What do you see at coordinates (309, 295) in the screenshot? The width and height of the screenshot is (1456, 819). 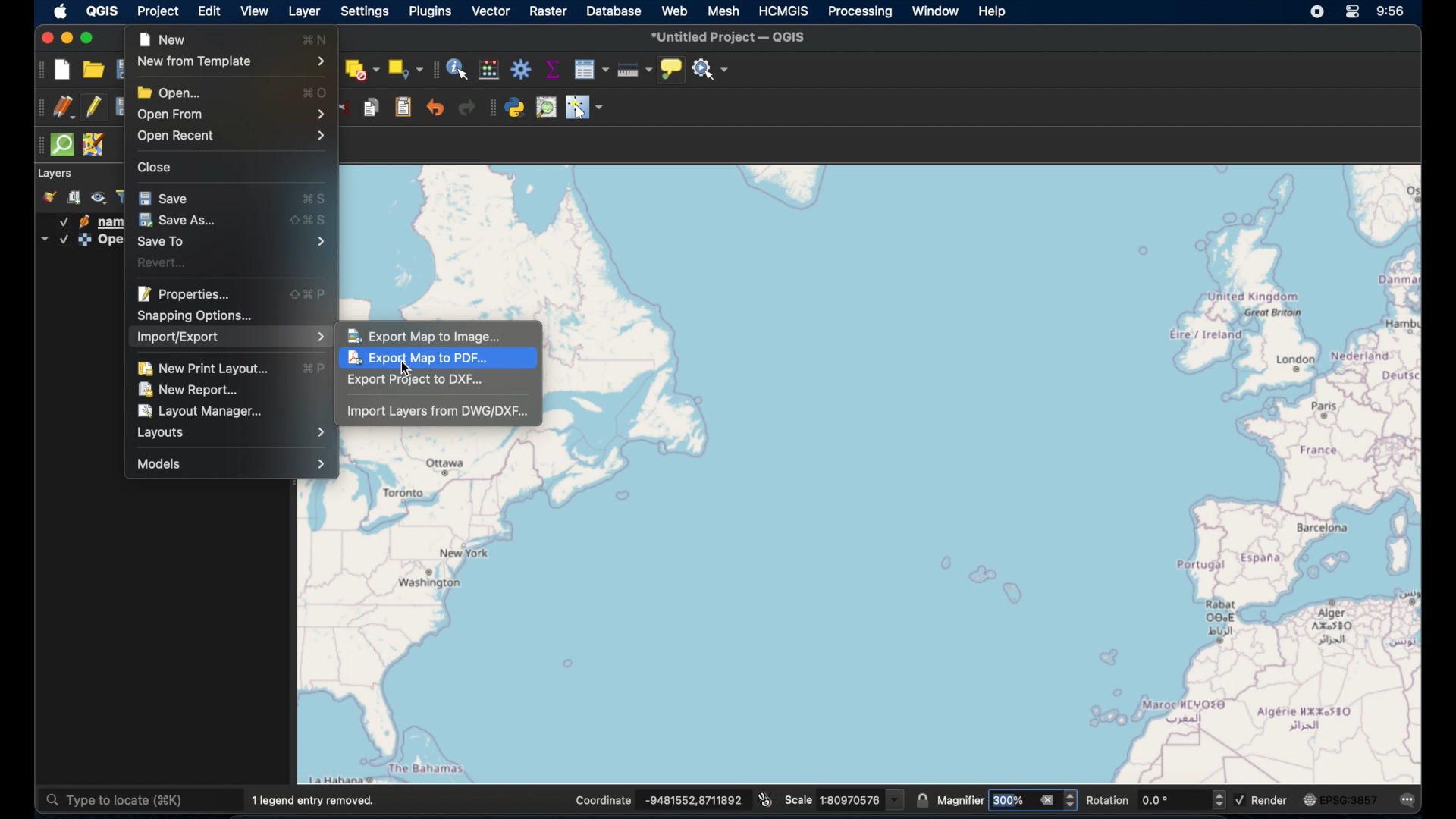 I see `properties shortcut` at bounding box center [309, 295].